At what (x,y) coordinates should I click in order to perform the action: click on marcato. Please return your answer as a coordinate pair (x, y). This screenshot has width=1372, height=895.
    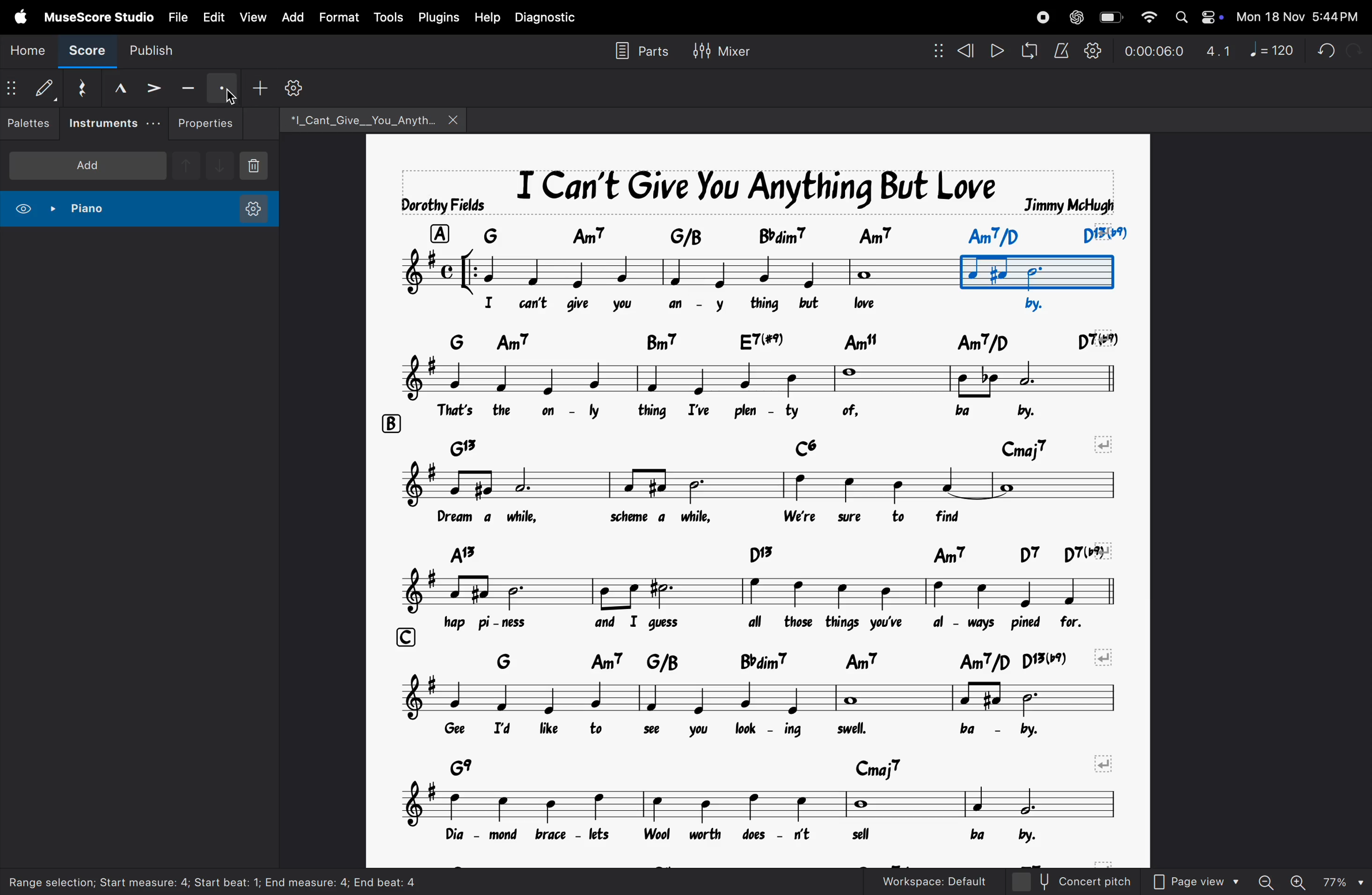
    Looking at the image, I should click on (123, 88).